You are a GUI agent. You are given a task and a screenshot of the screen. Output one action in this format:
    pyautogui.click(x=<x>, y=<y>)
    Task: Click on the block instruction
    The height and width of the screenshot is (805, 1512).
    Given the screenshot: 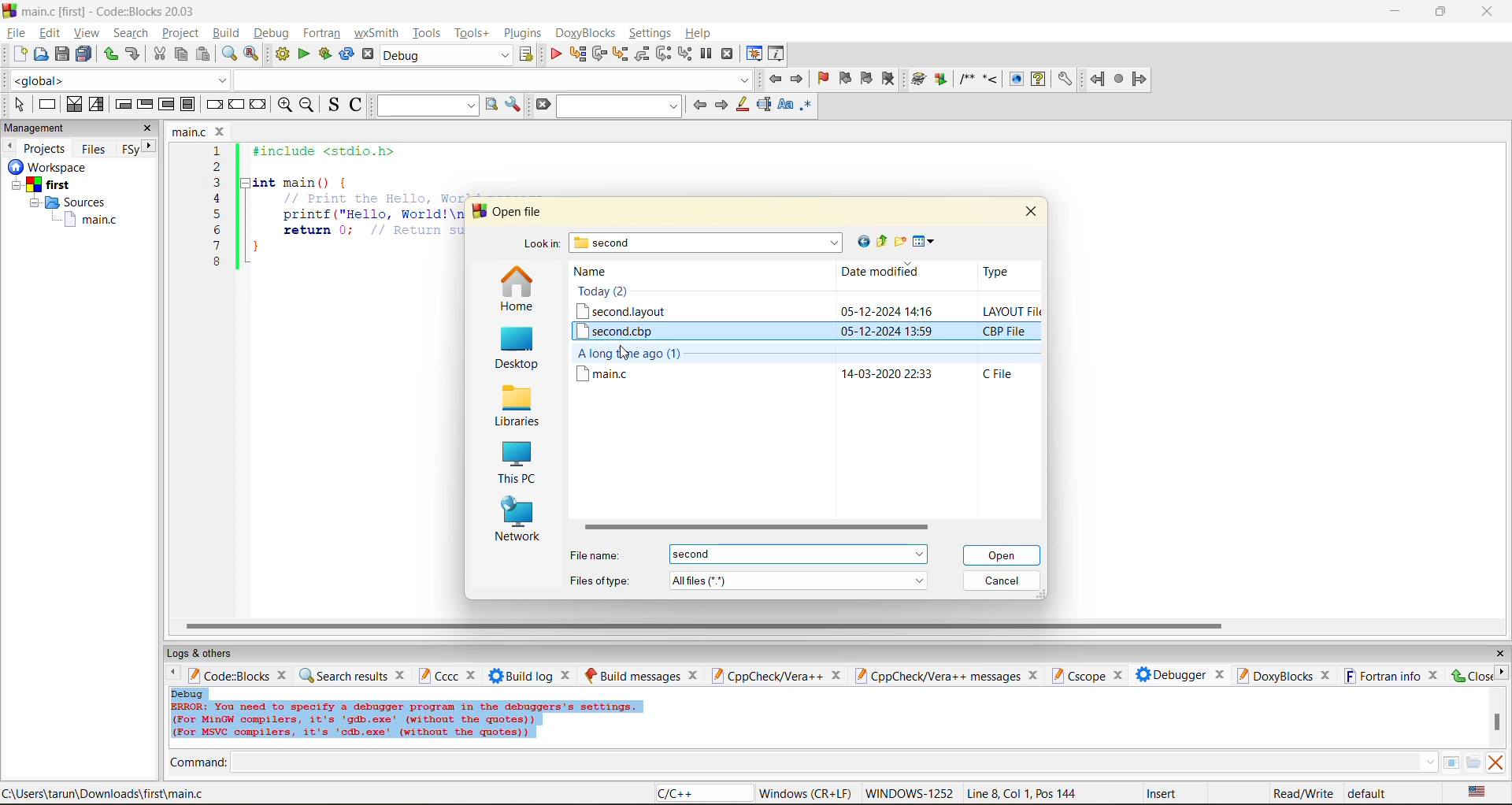 What is the action you would take?
    pyautogui.click(x=188, y=105)
    